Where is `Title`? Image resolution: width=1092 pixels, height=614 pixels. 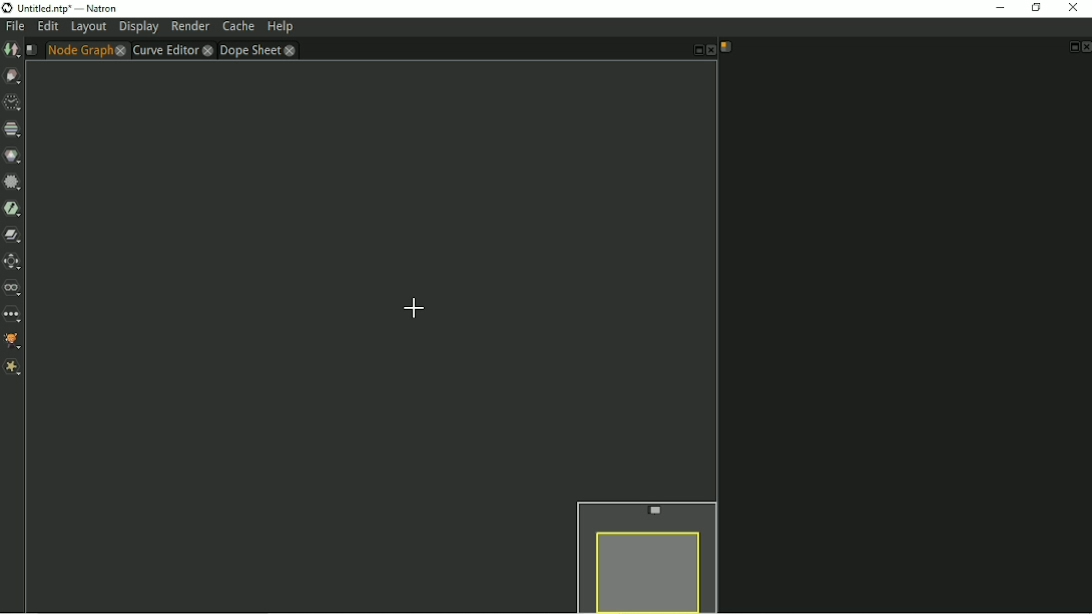 Title is located at coordinates (61, 8).